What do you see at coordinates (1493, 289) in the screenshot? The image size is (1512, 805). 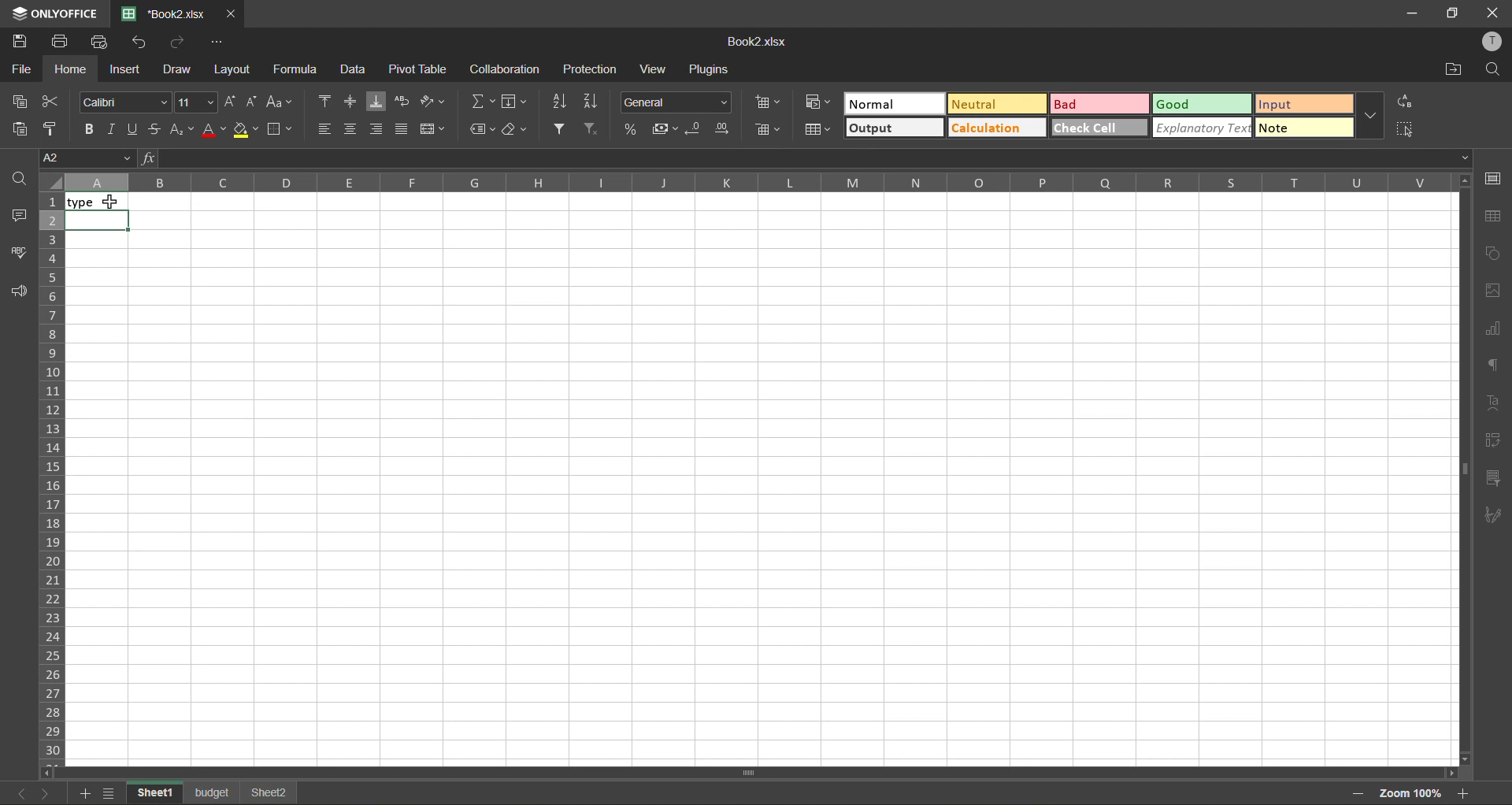 I see `images` at bounding box center [1493, 289].